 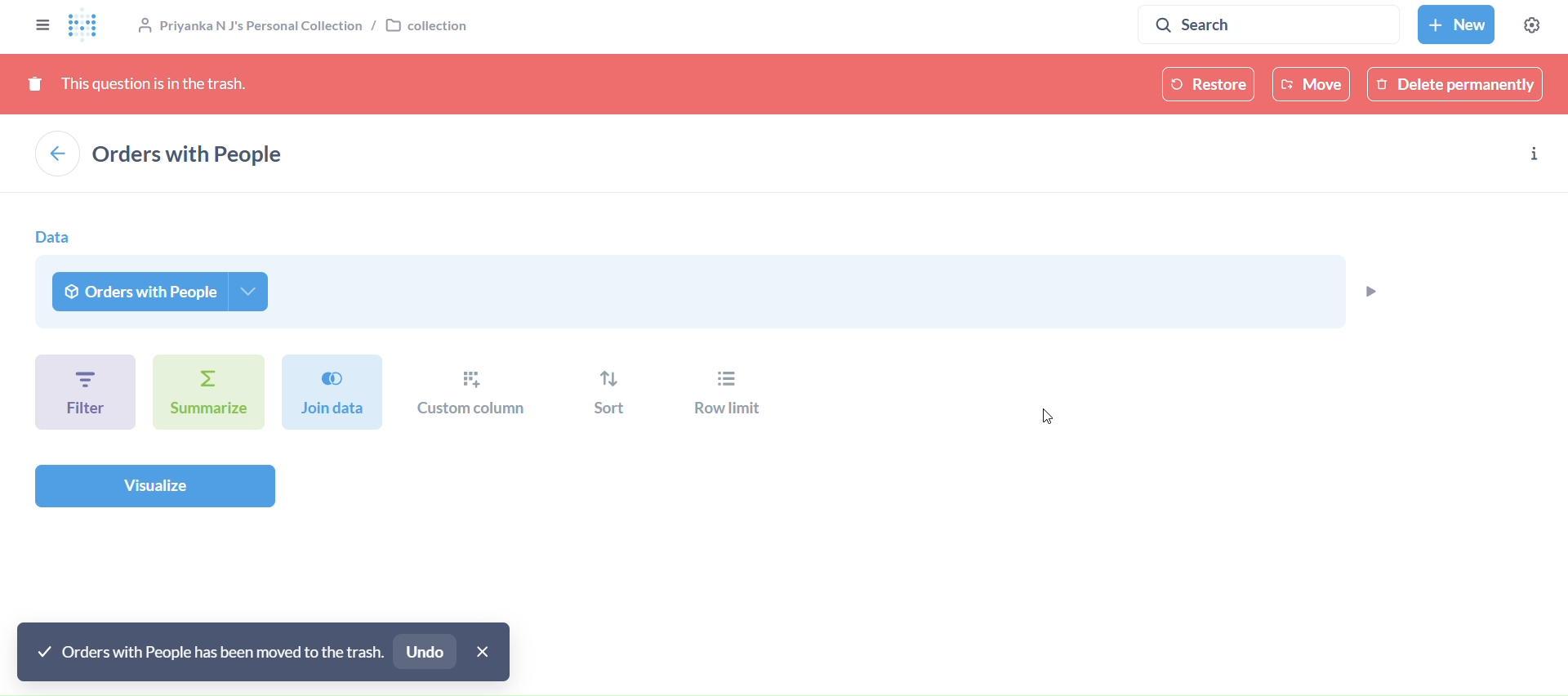 What do you see at coordinates (135, 84) in the screenshot?
I see `this question is in thetrash` at bounding box center [135, 84].